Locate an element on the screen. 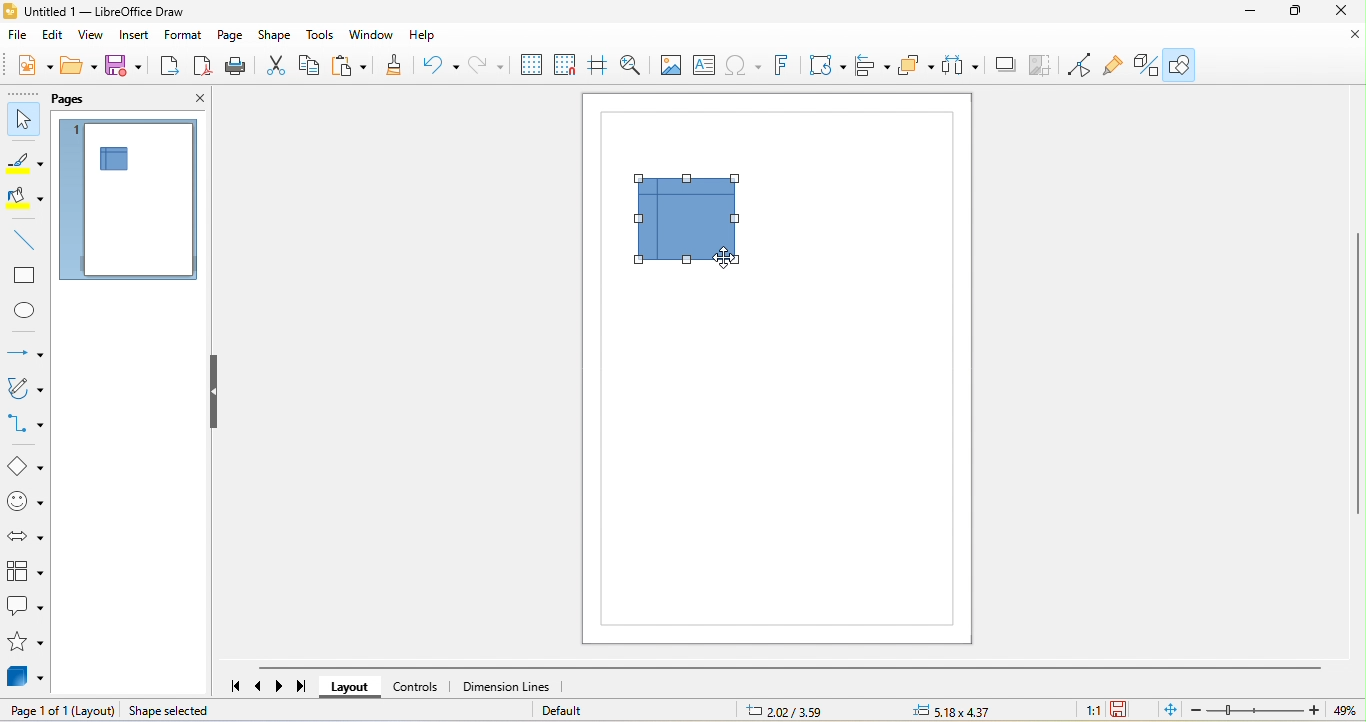 The height and width of the screenshot is (722, 1366). font work text is located at coordinates (787, 68).